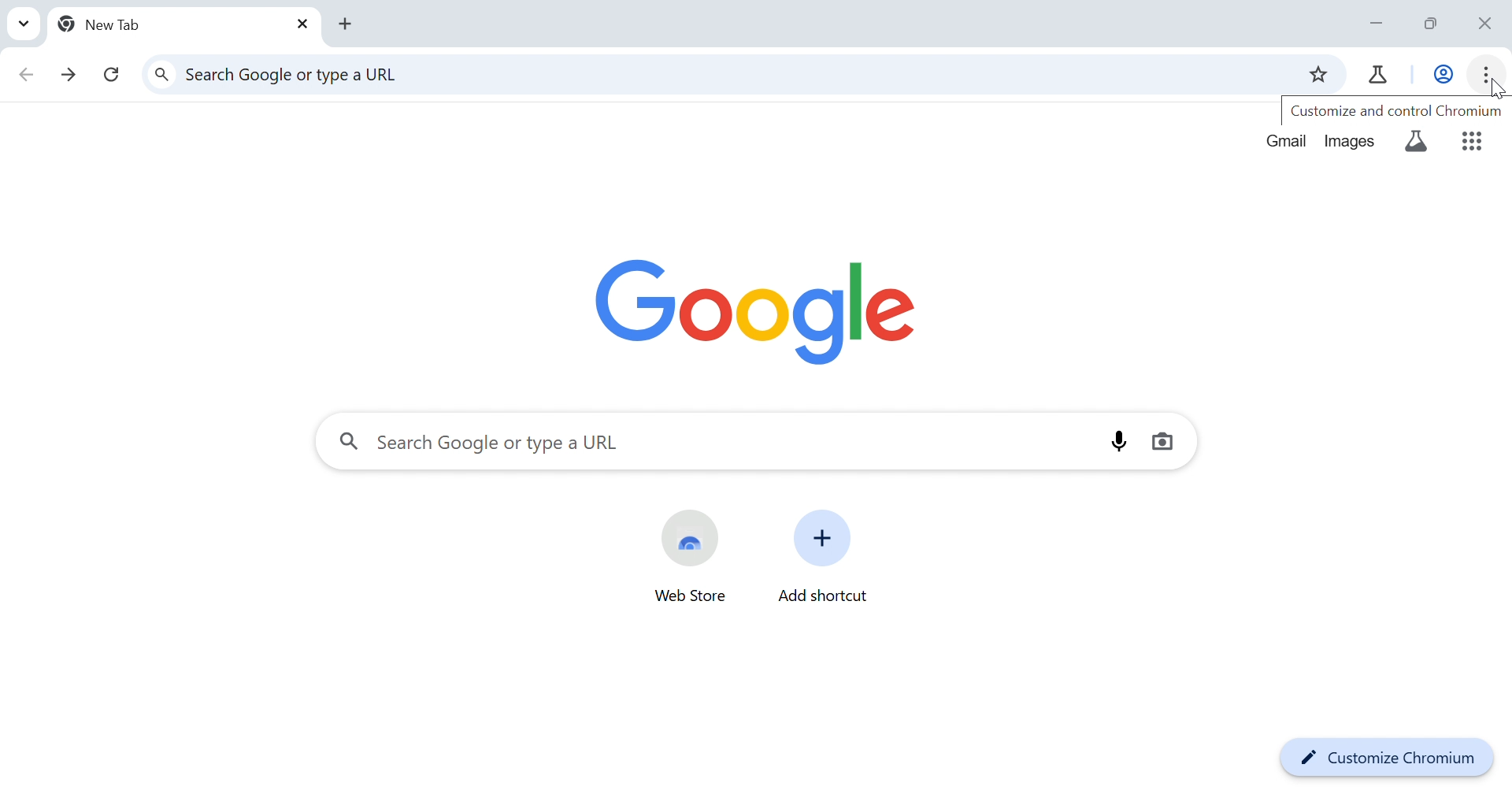 This screenshot has width=1512, height=794. What do you see at coordinates (1417, 144) in the screenshot?
I see `Search labs` at bounding box center [1417, 144].